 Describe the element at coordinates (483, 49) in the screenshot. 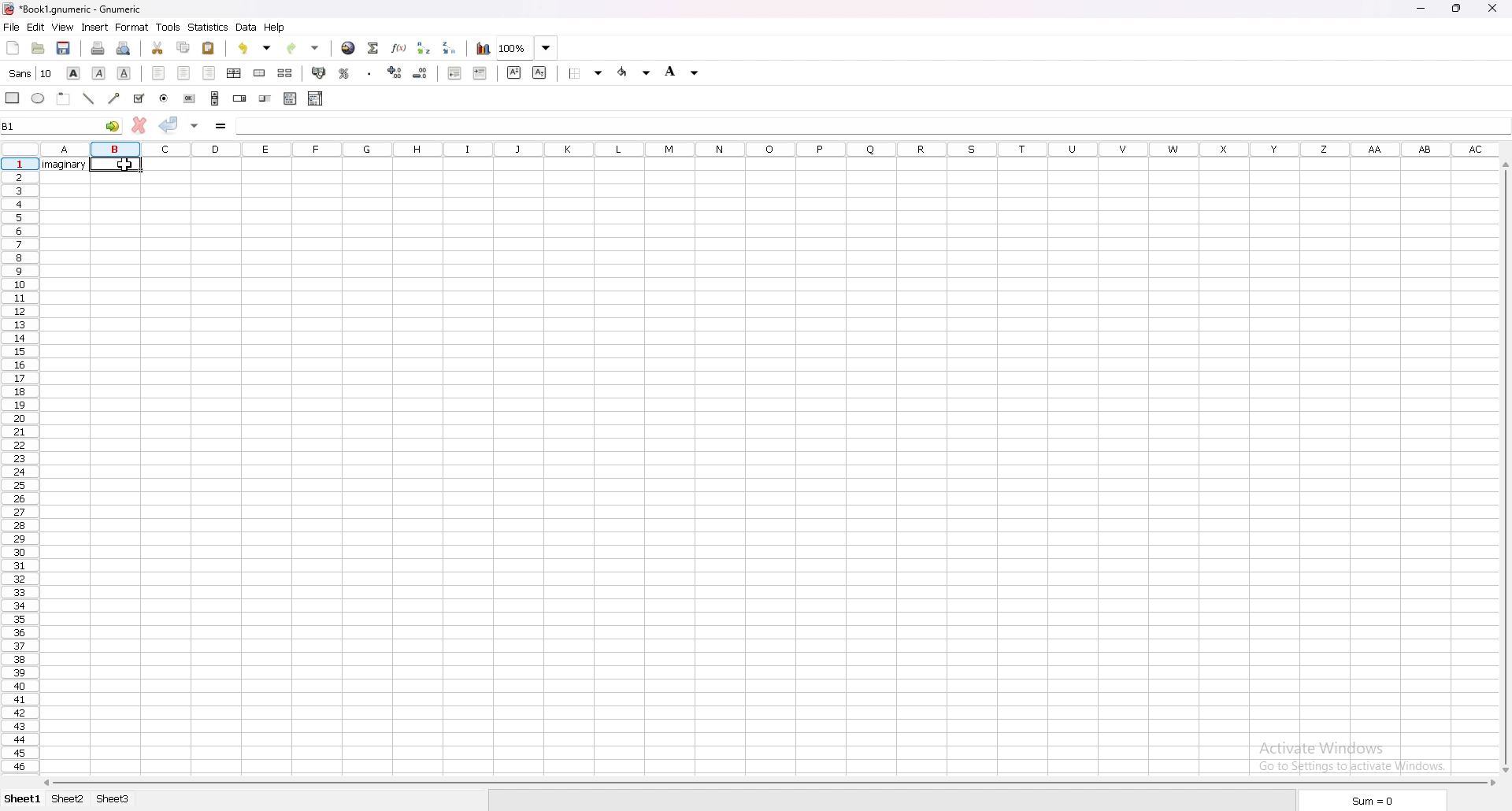

I see `chart` at that location.